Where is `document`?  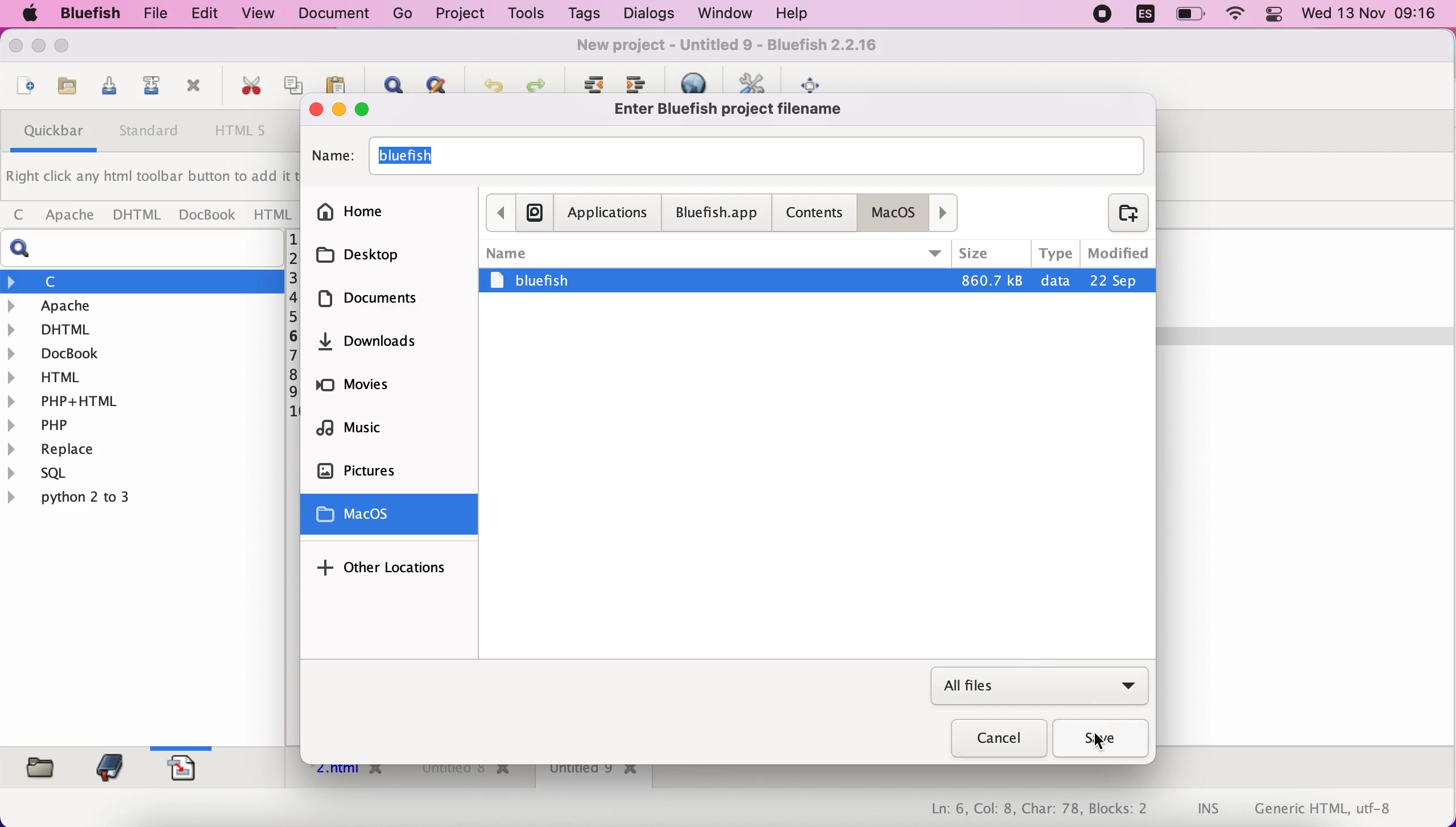
document is located at coordinates (338, 14).